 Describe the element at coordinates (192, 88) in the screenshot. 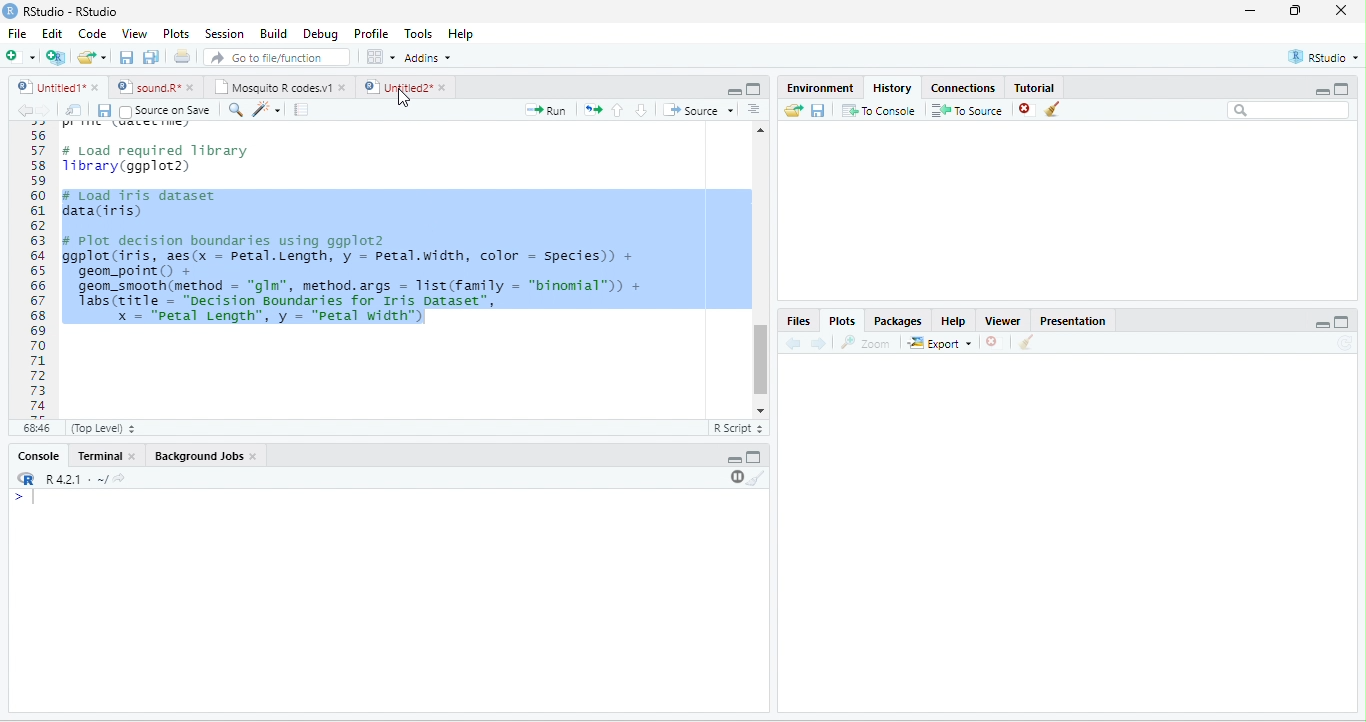

I see `close` at that location.